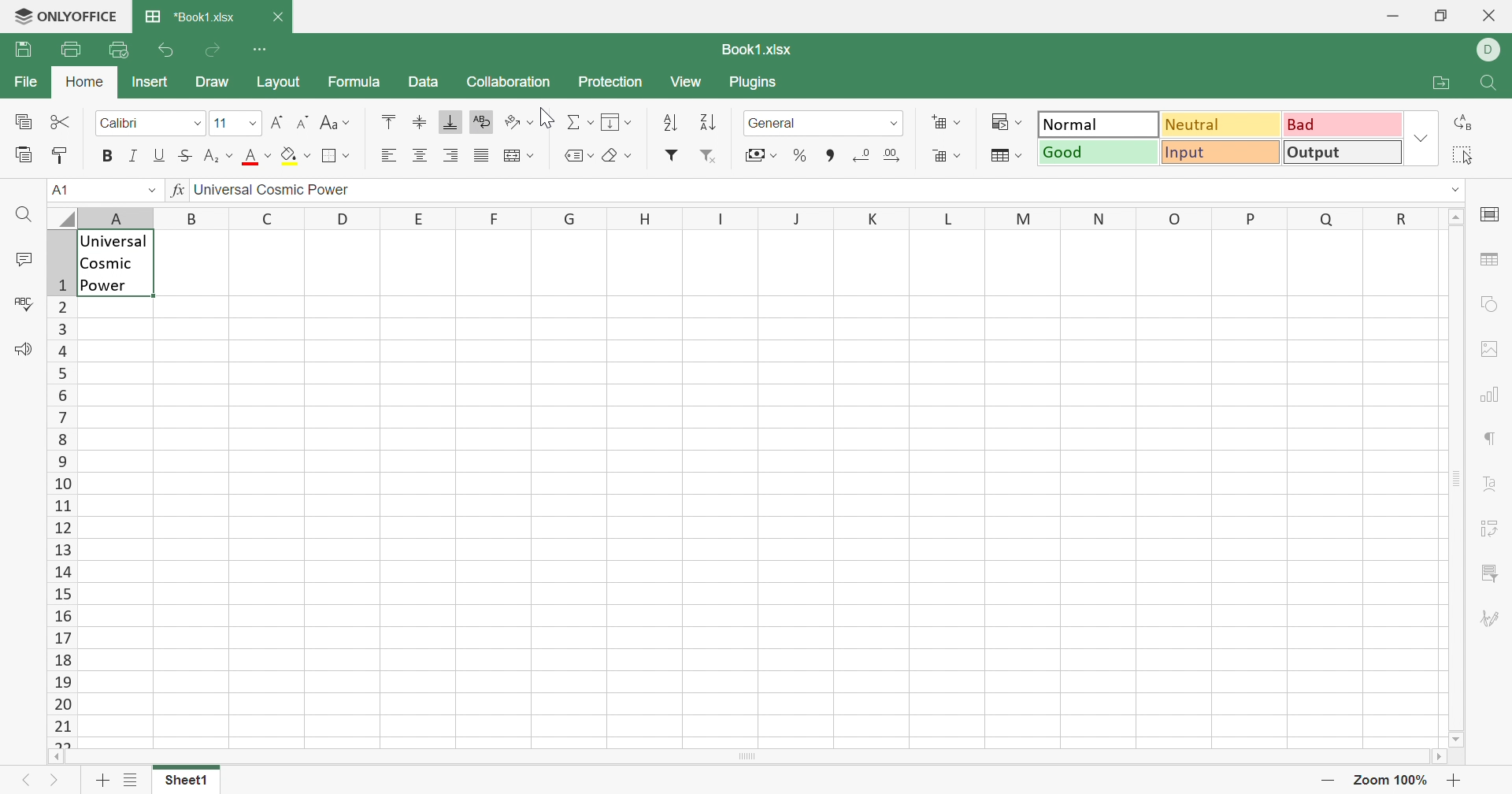  Describe the element at coordinates (336, 121) in the screenshot. I see `Change case` at that location.